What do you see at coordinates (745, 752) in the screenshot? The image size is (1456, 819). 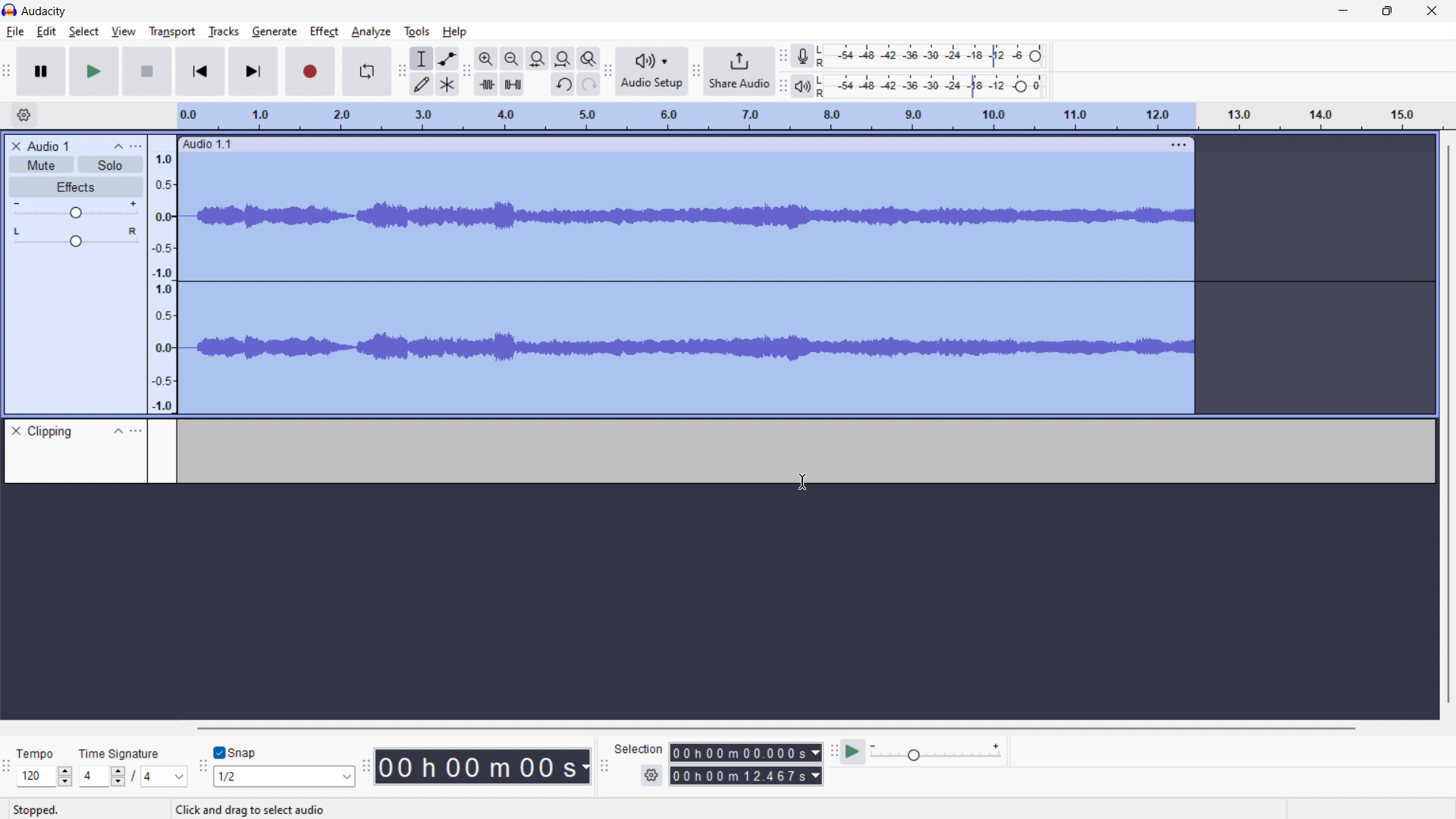 I see `start time` at bounding box center [745, 752].